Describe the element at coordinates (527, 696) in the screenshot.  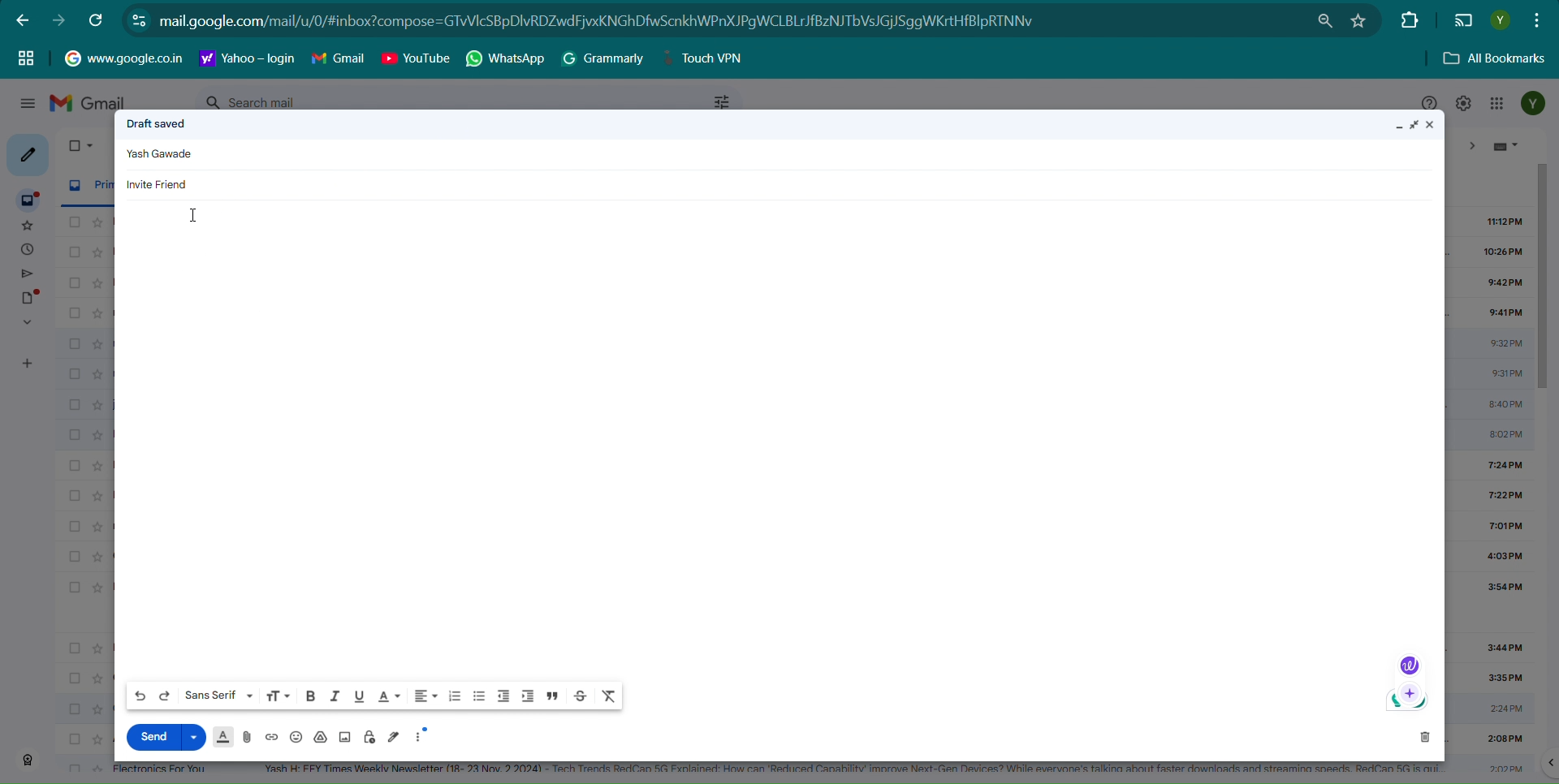
I see `Indent more` at that location.